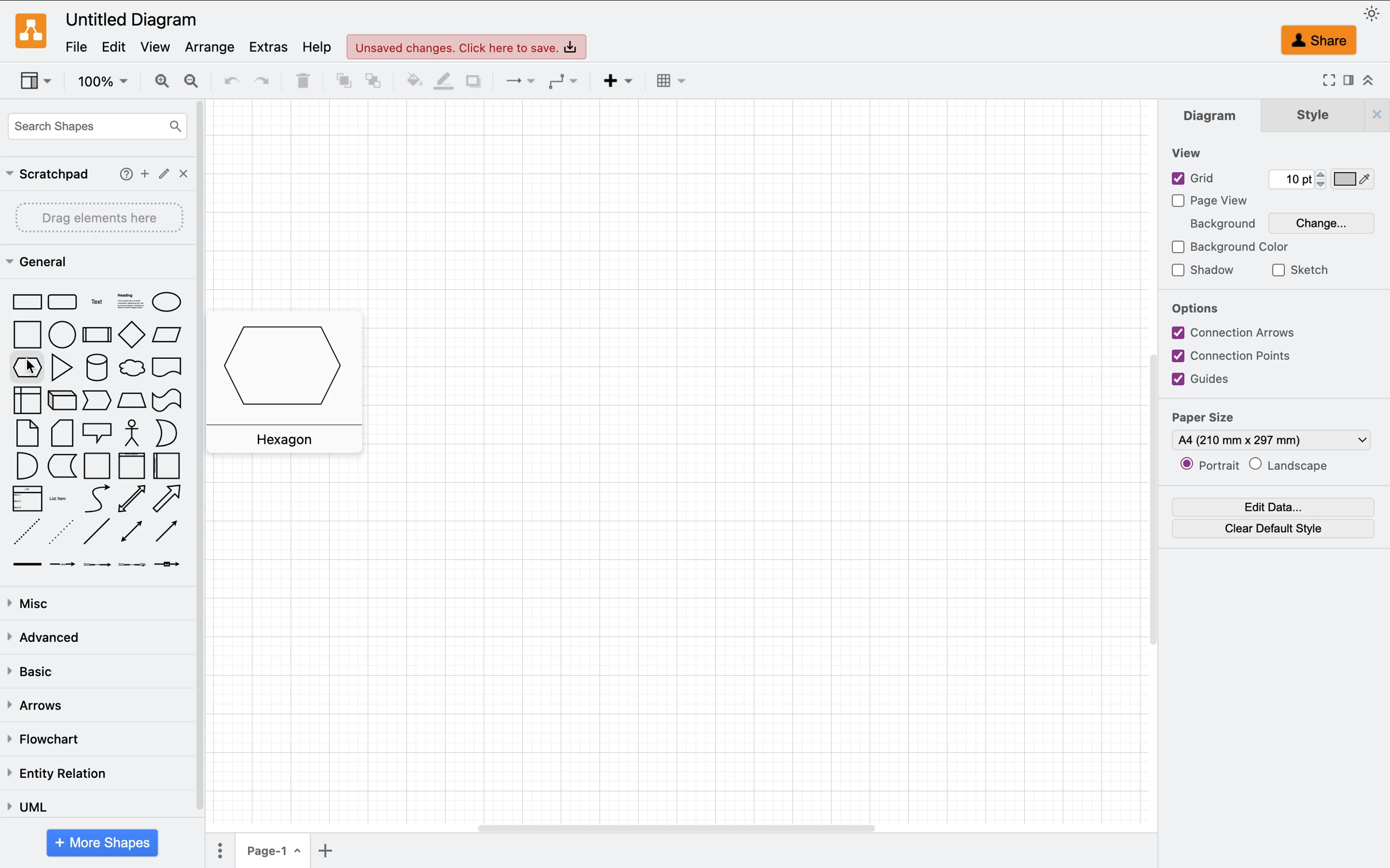  What do you see at coordinates (1326, 82) in the screenshot?
I see `fullscreen` at bounding box center [1326, 82].